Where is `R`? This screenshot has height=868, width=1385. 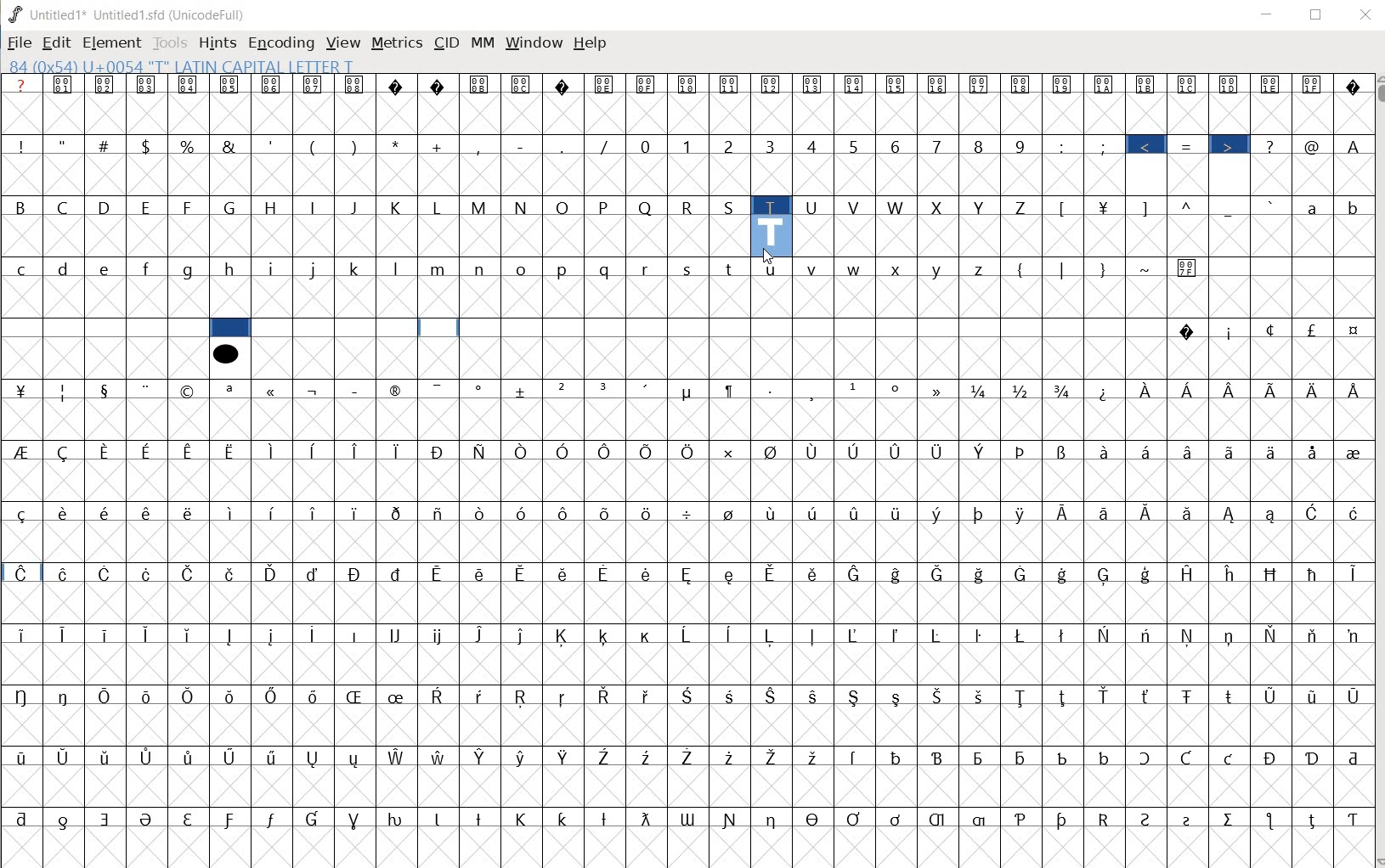
R is located at coordinates (690, 206).